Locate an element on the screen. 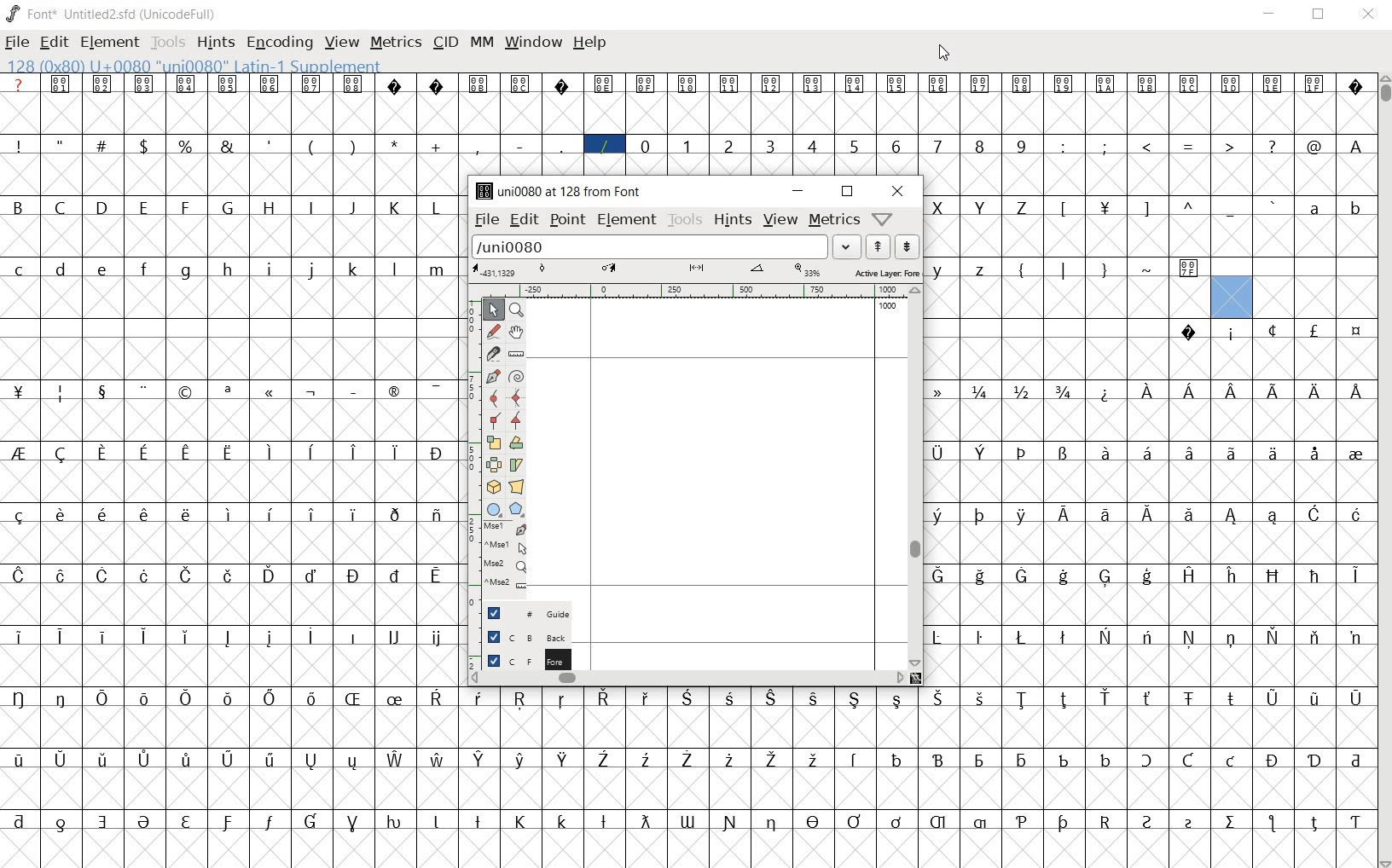 The height and width of the screenshot is (868, 1392). glyph is located at coordinates (1064, 391).